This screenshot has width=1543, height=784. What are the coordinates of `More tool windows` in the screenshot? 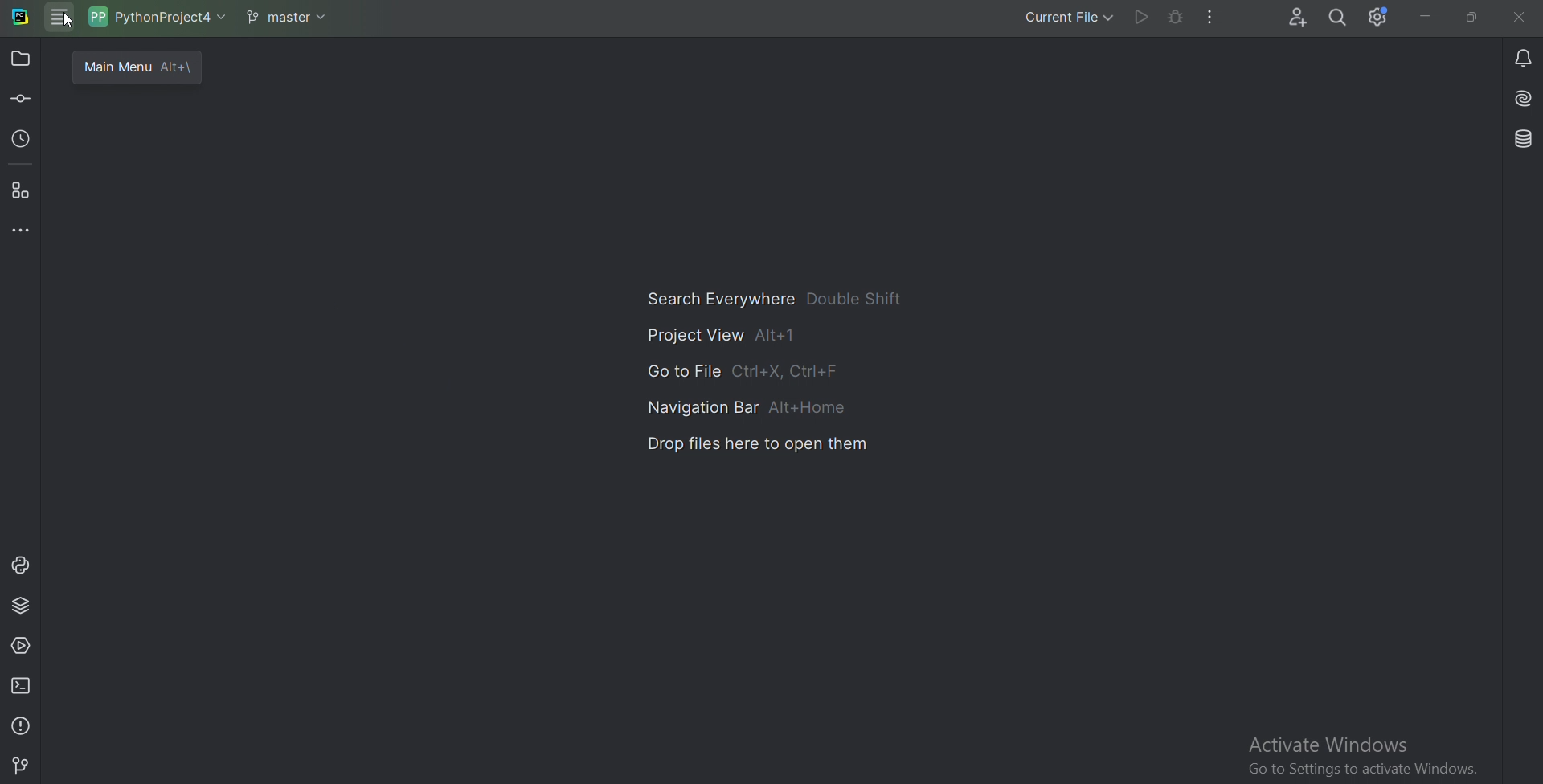 It's located at (22, 231).